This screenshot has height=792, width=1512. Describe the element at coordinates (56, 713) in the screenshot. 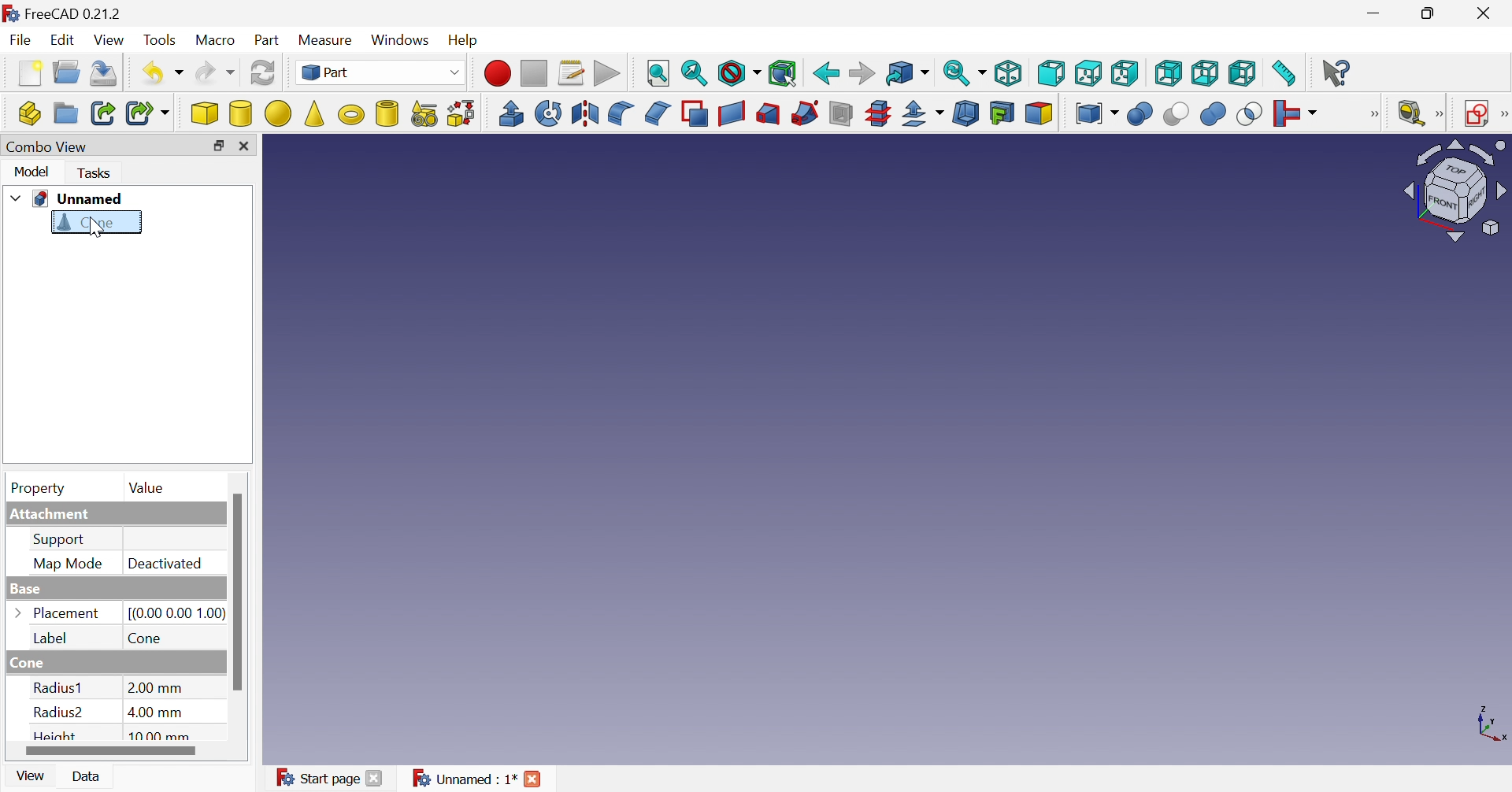

I see `Radius2` at that location.